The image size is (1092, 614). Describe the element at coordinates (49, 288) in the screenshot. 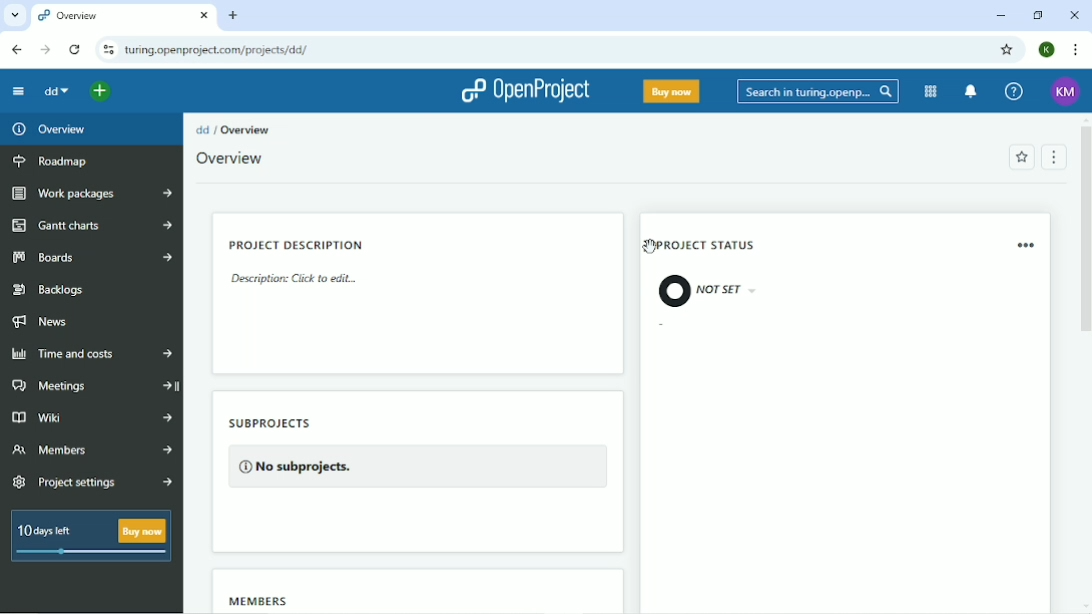

I see `Backlogs` at that location.